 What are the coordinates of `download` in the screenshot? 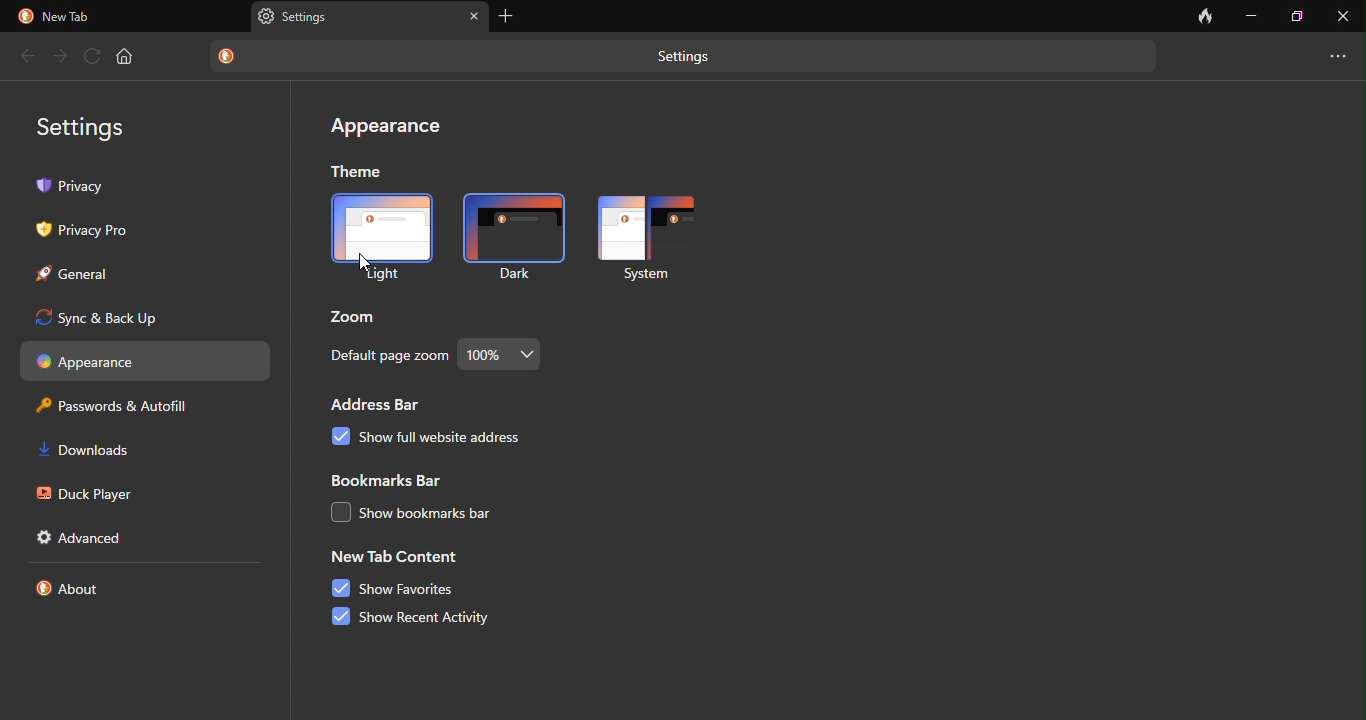 It's located at (96, 452).